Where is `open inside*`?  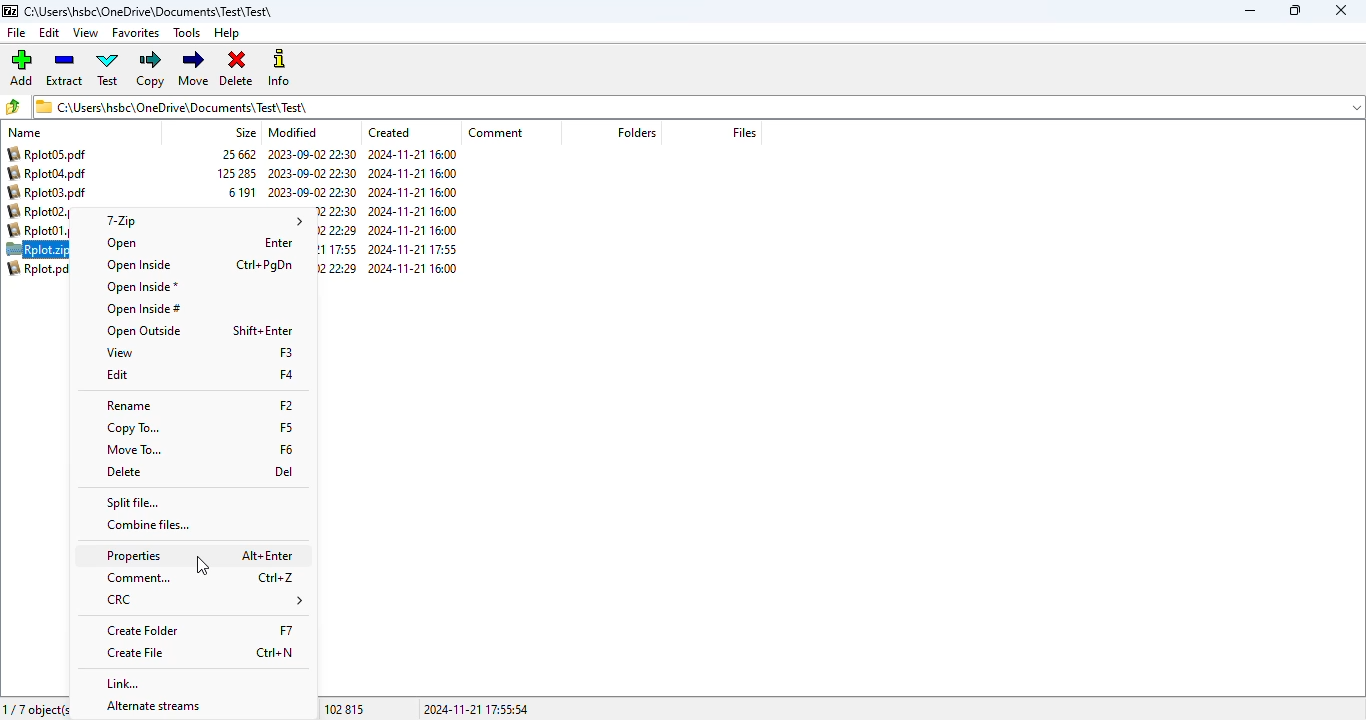
open inside* is located at coordinates (141, 286).